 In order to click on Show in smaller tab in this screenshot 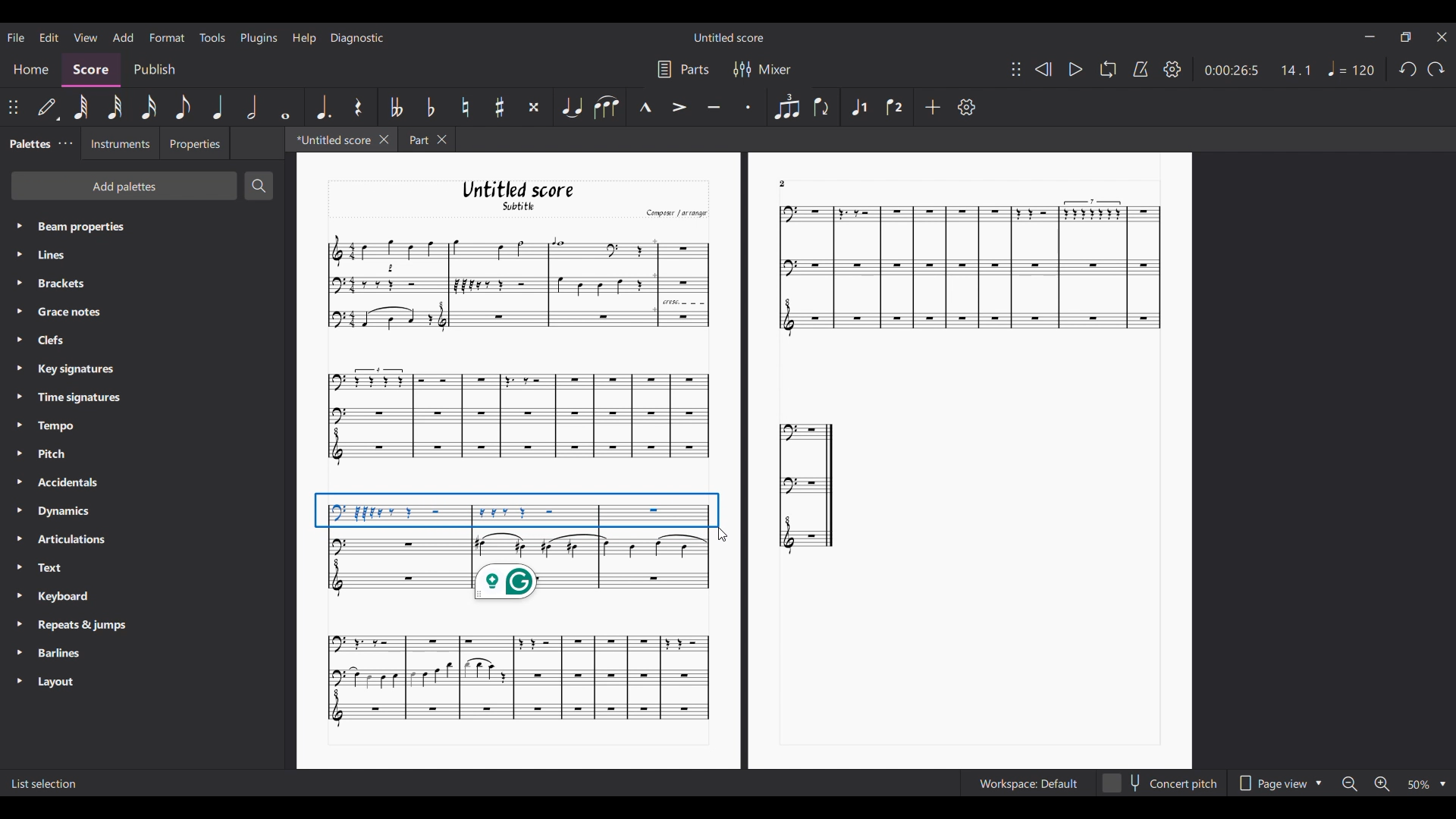, I will do `click(1405, 37)`.